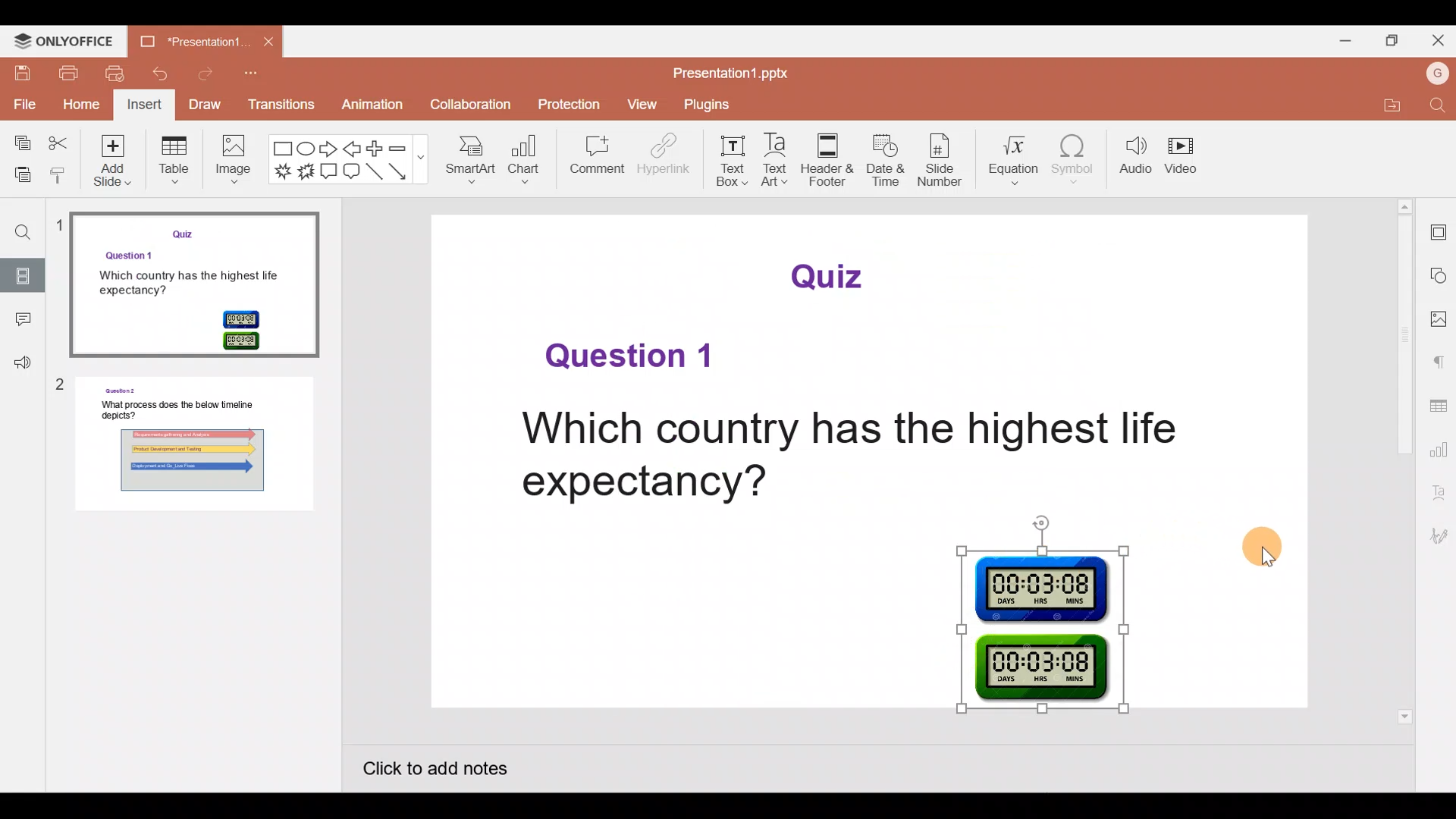 The image size is (1456, 819). Describe the element at coordinates (71, 75) in the screenshot. I see `Print file` at that location.